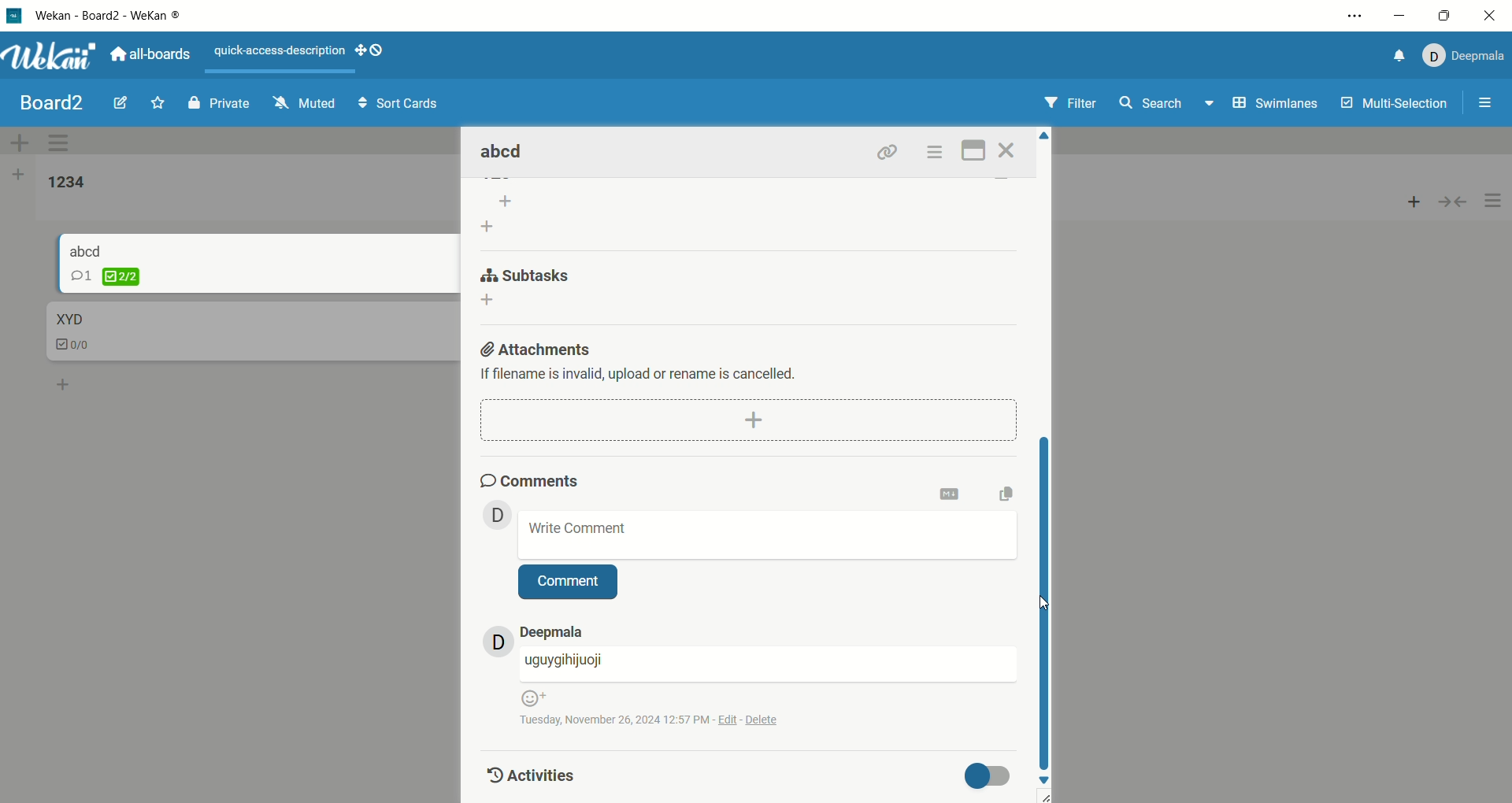 The image size is (1512, 803). Describe the element at coordinates (1461, 56) in the screenshot. I see `account` at that location.